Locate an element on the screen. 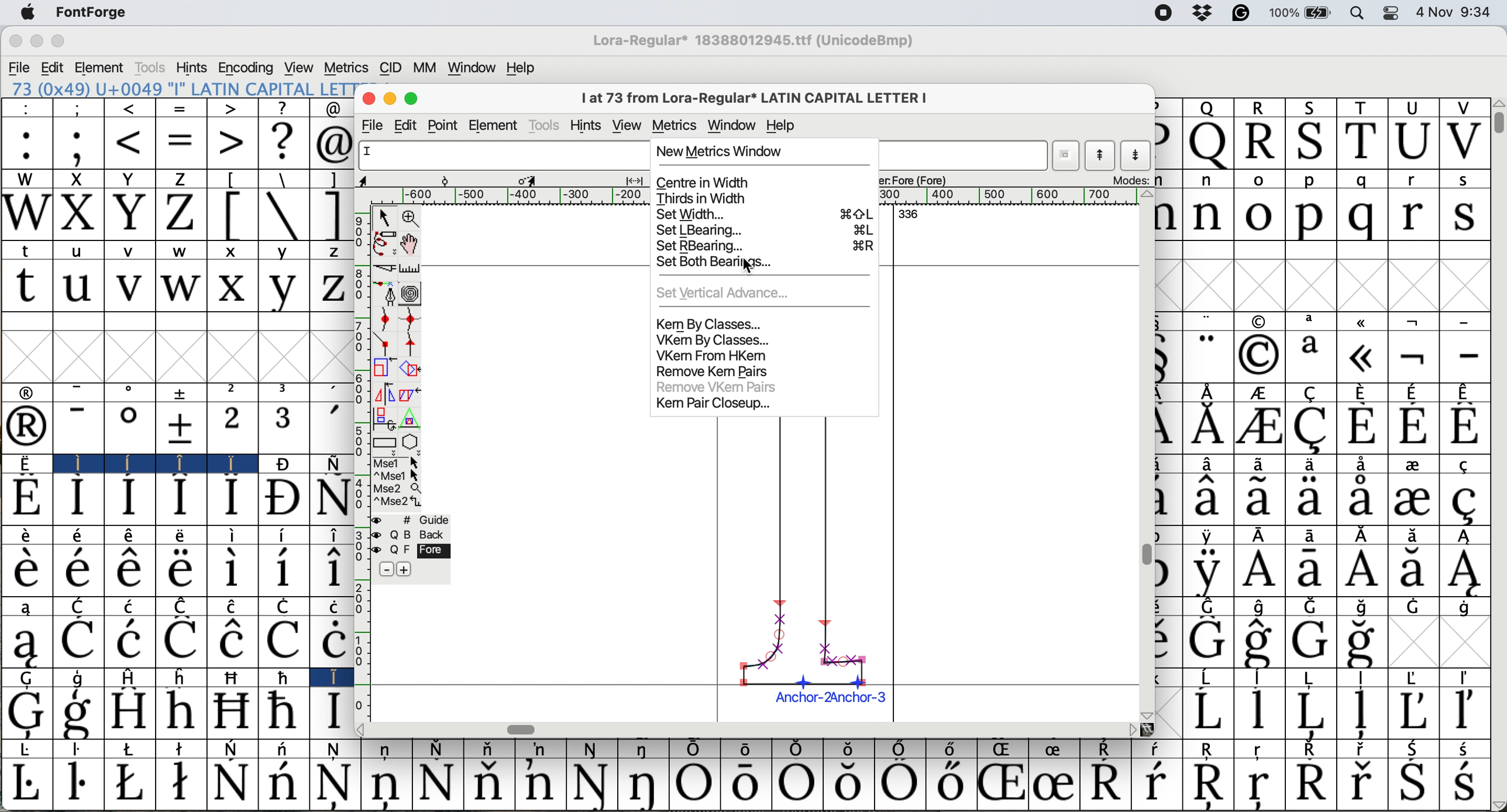 The width and height of the screenshot is (1507, 812). : is located at coordinates (26, 143).